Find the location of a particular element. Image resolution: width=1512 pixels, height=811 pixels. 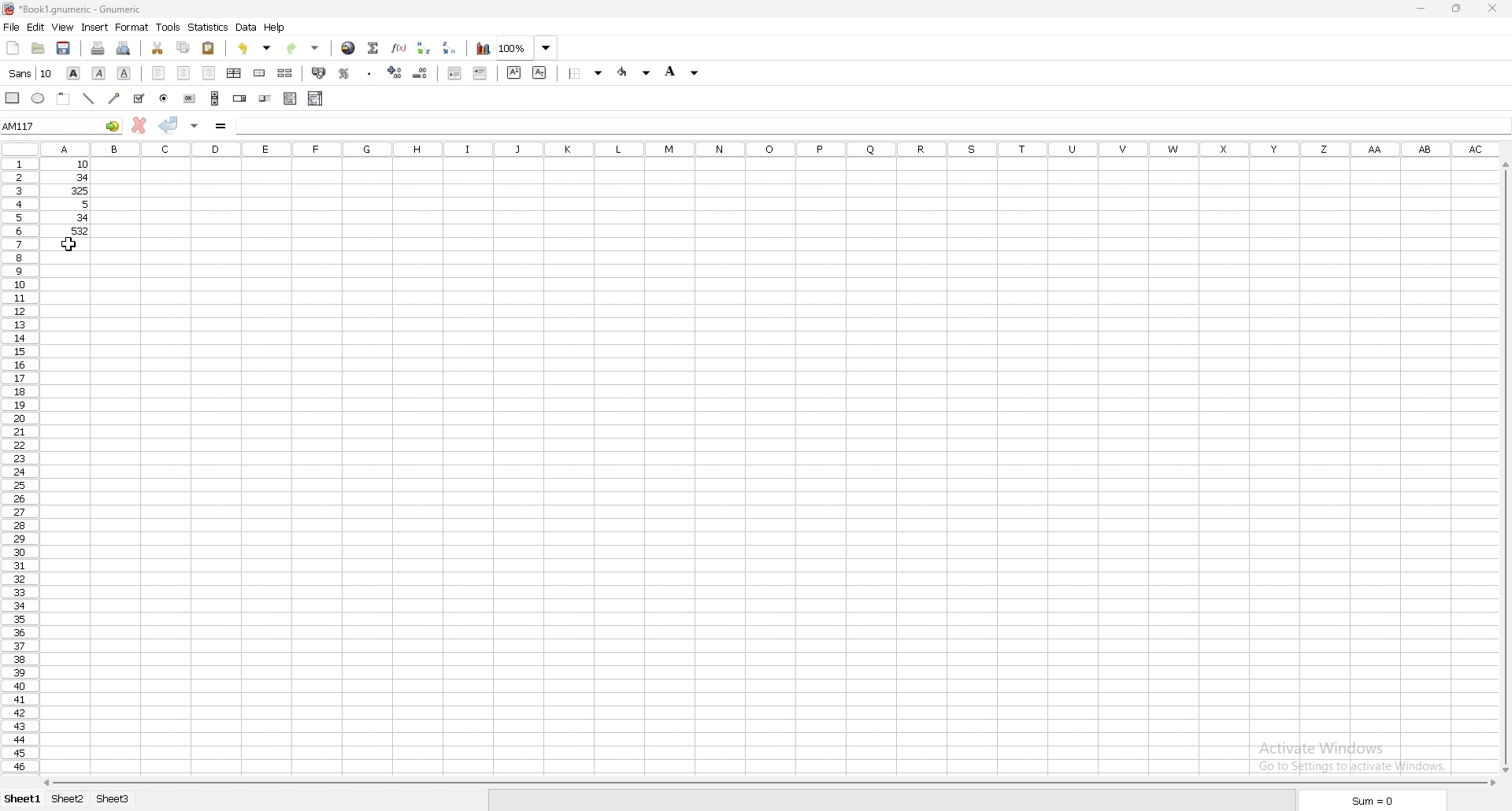

centre horizontally is located at coordinates (233, 72).